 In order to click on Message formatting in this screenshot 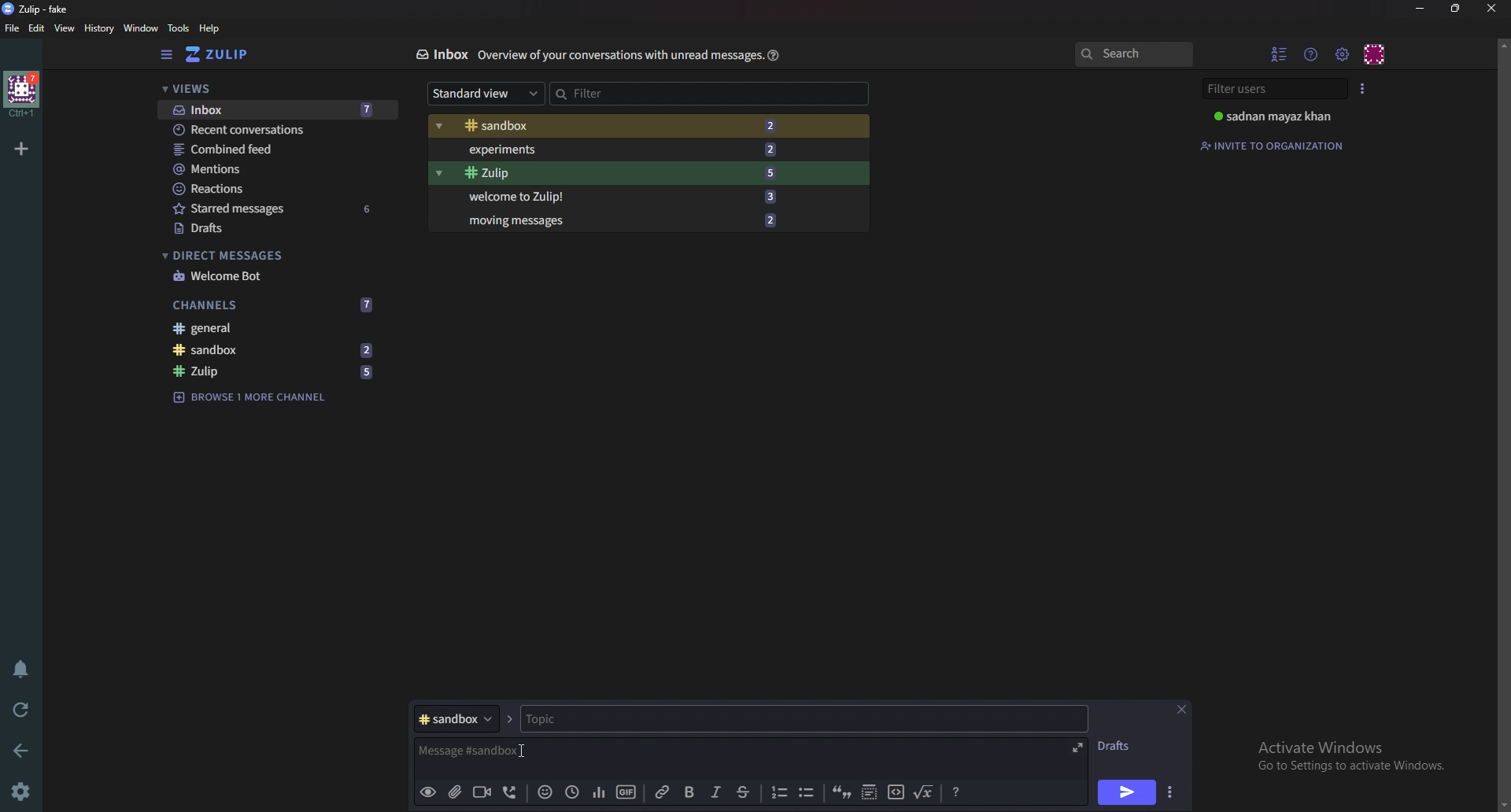, I will do `click(955, 792)`.